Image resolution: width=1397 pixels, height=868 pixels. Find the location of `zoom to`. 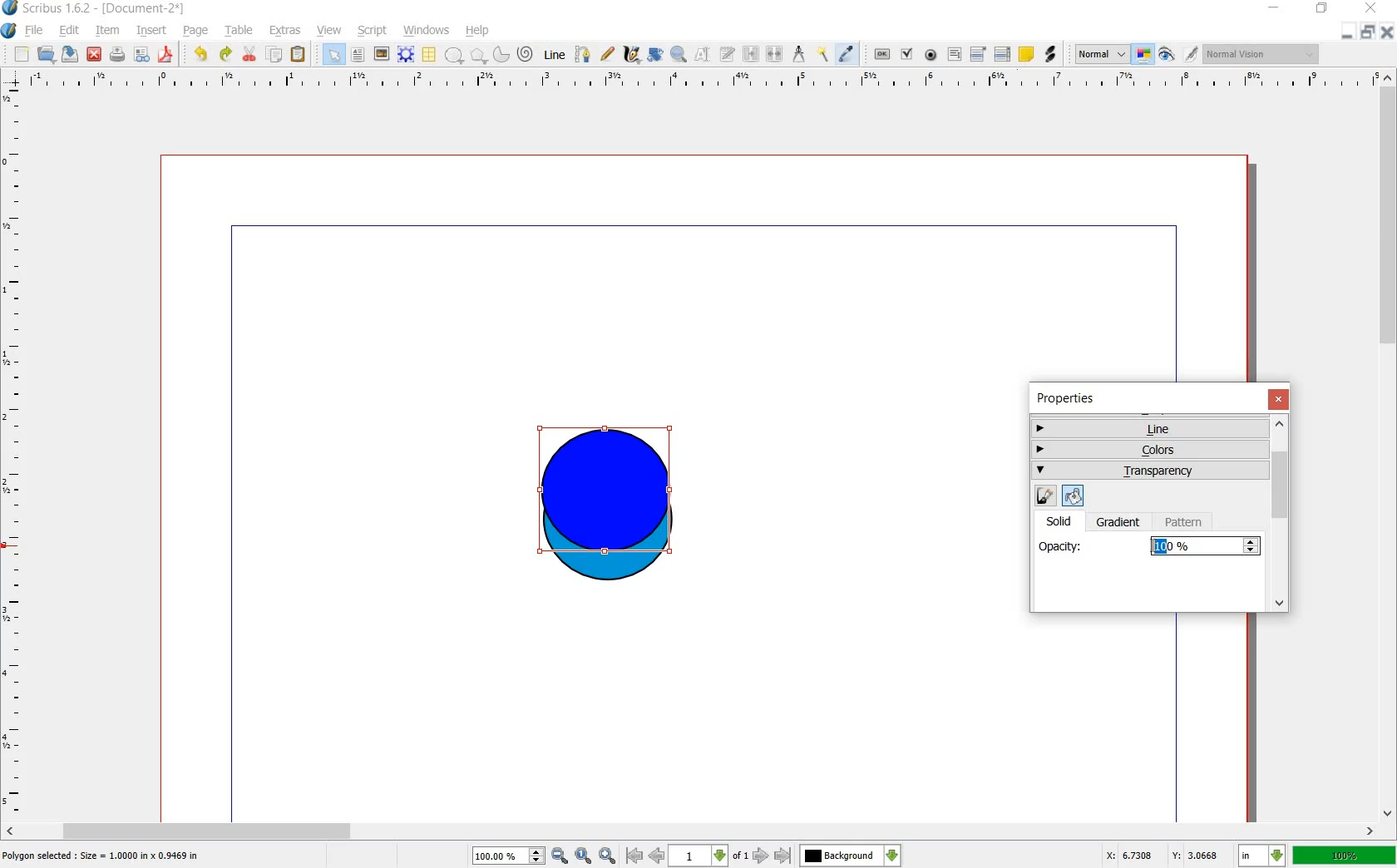

zoom to is located at coordinates (584, 856).